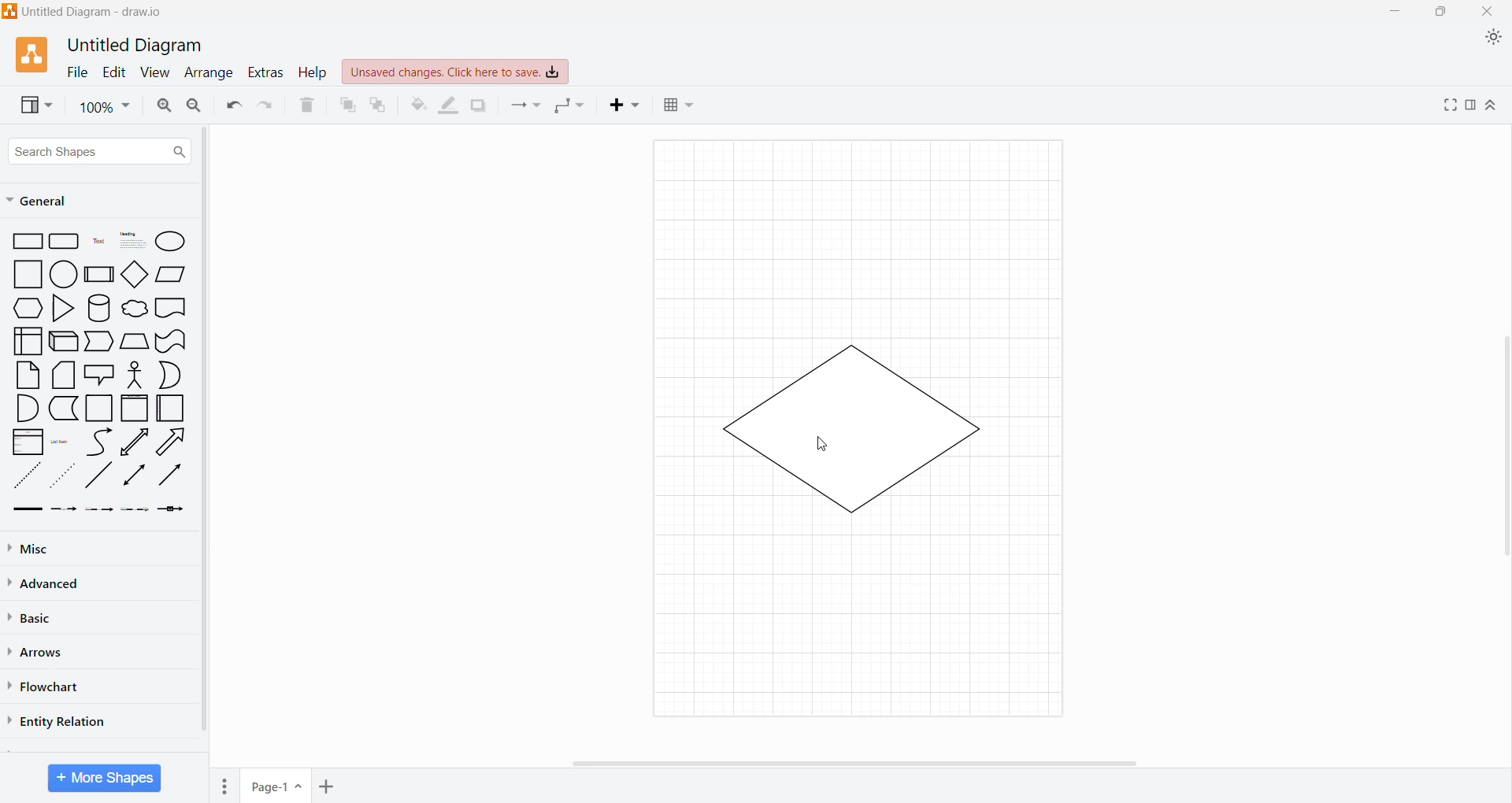 The height and width of the screenshot is (803, 1512). I want to click on Format, so click(1470, 105).